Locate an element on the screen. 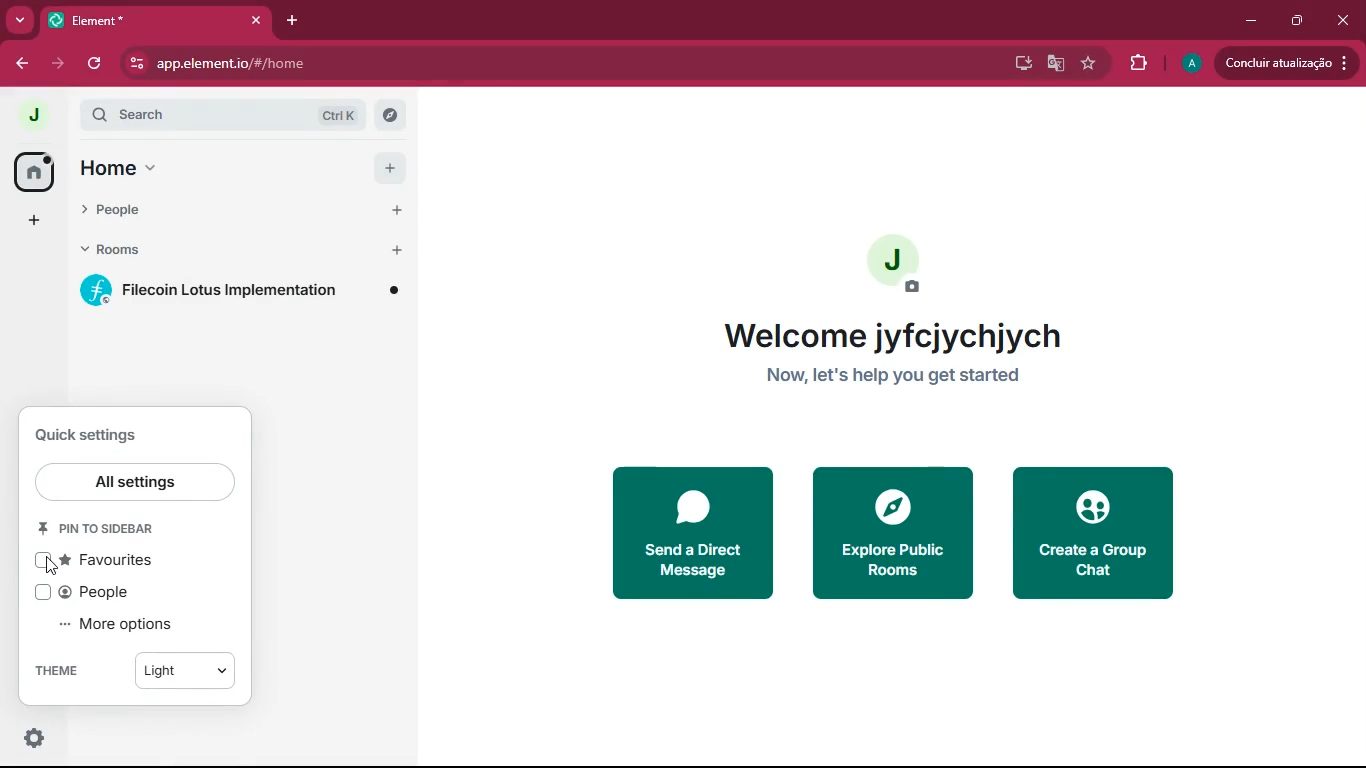 Image resolution: width=1366 pixels, height=768 pixels. google translate is located at coordinates (1052, 64).